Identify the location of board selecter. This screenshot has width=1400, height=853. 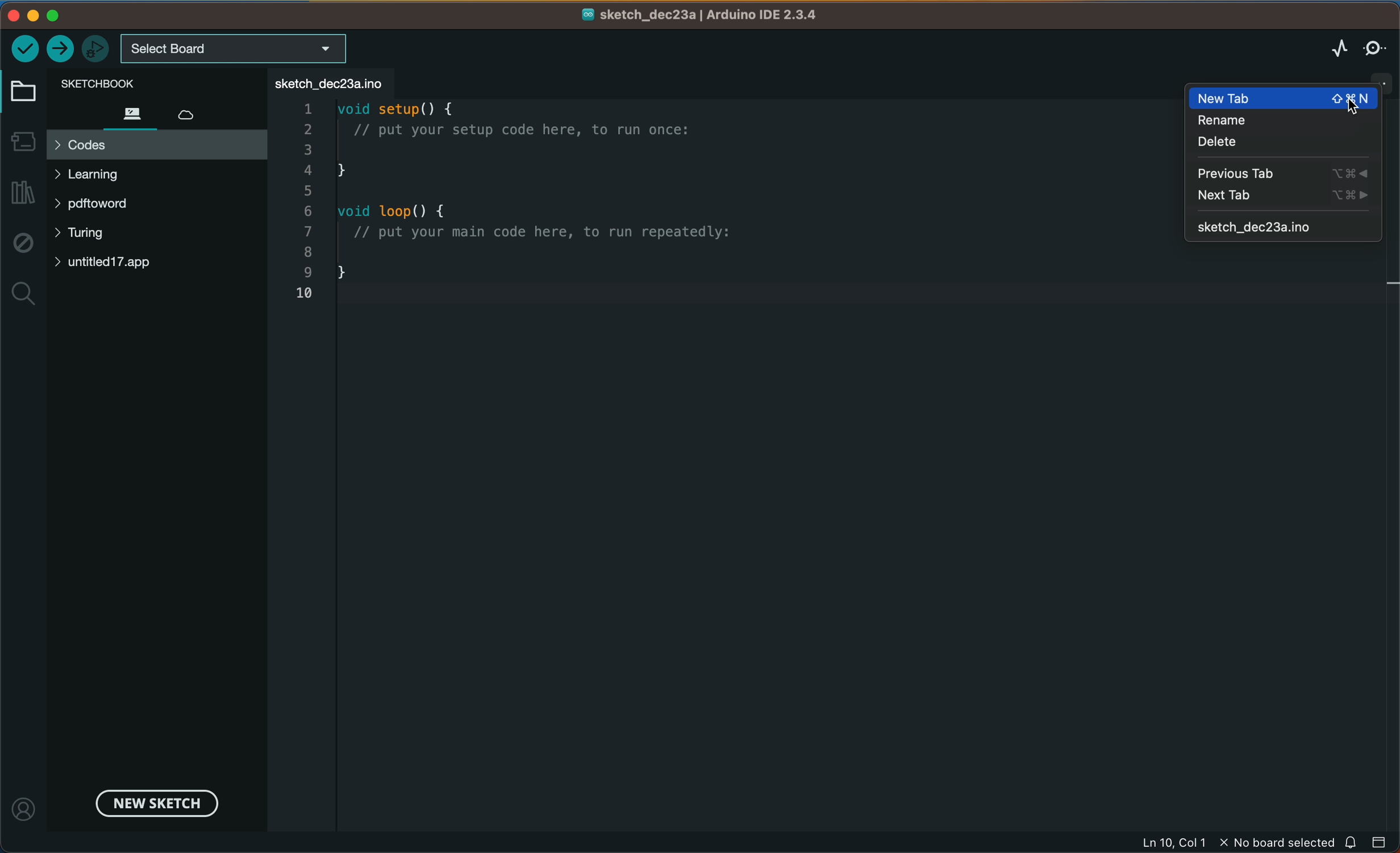
(235, 49).